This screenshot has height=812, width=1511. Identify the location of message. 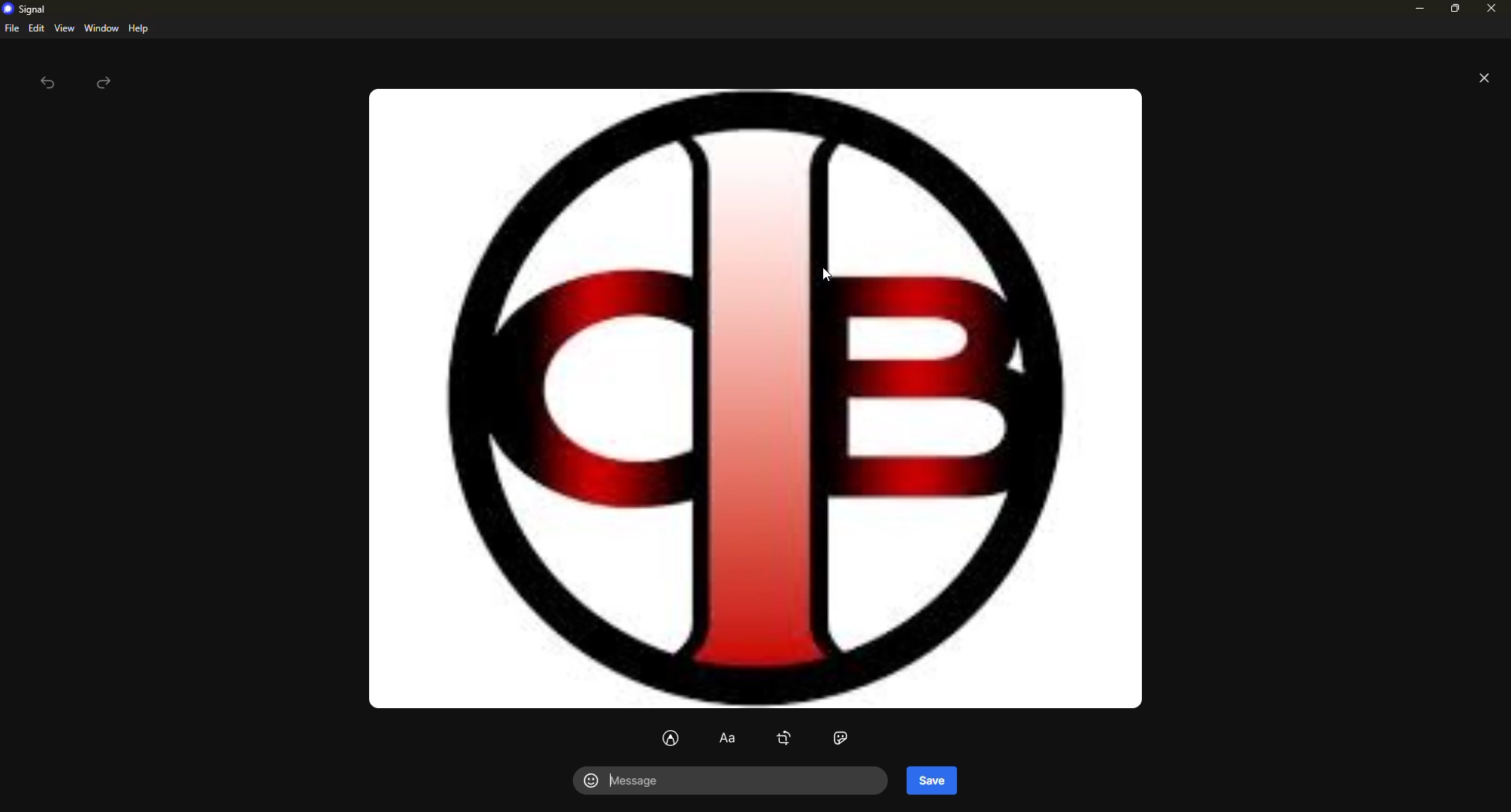
(648, 782).